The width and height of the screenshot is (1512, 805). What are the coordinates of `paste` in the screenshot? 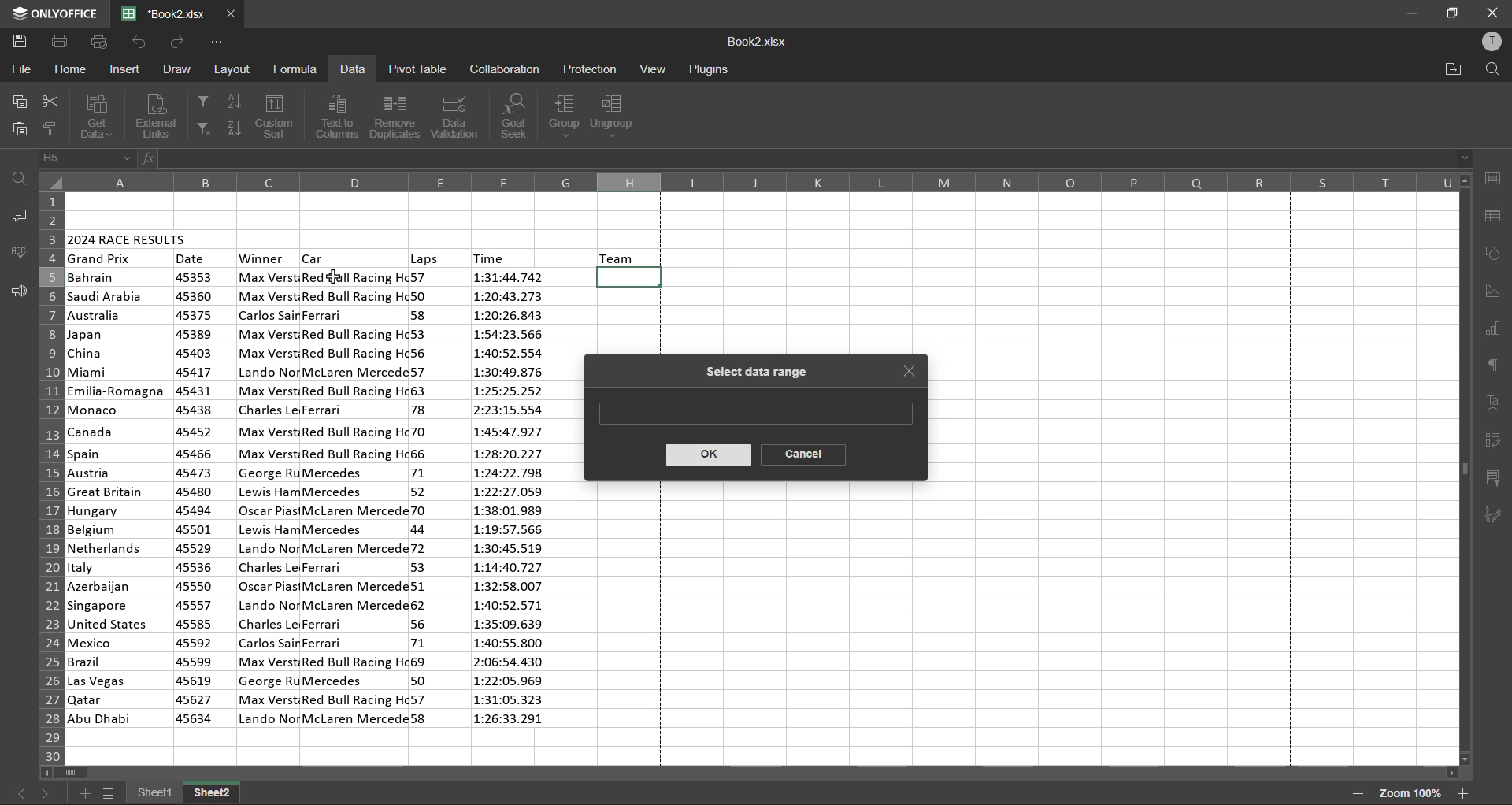 It's located at (21, 128).